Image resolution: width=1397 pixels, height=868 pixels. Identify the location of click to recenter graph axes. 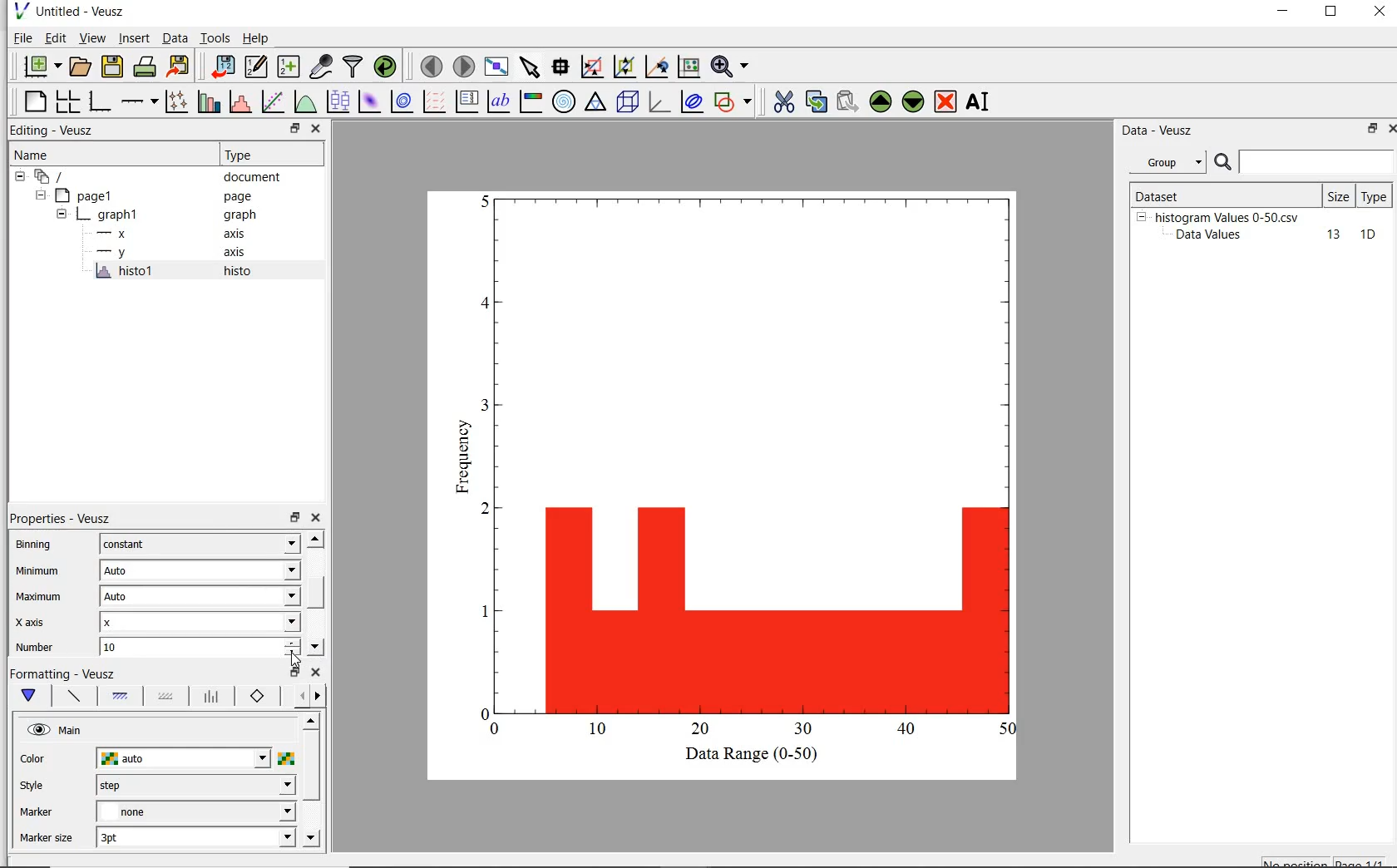
(688, 67).